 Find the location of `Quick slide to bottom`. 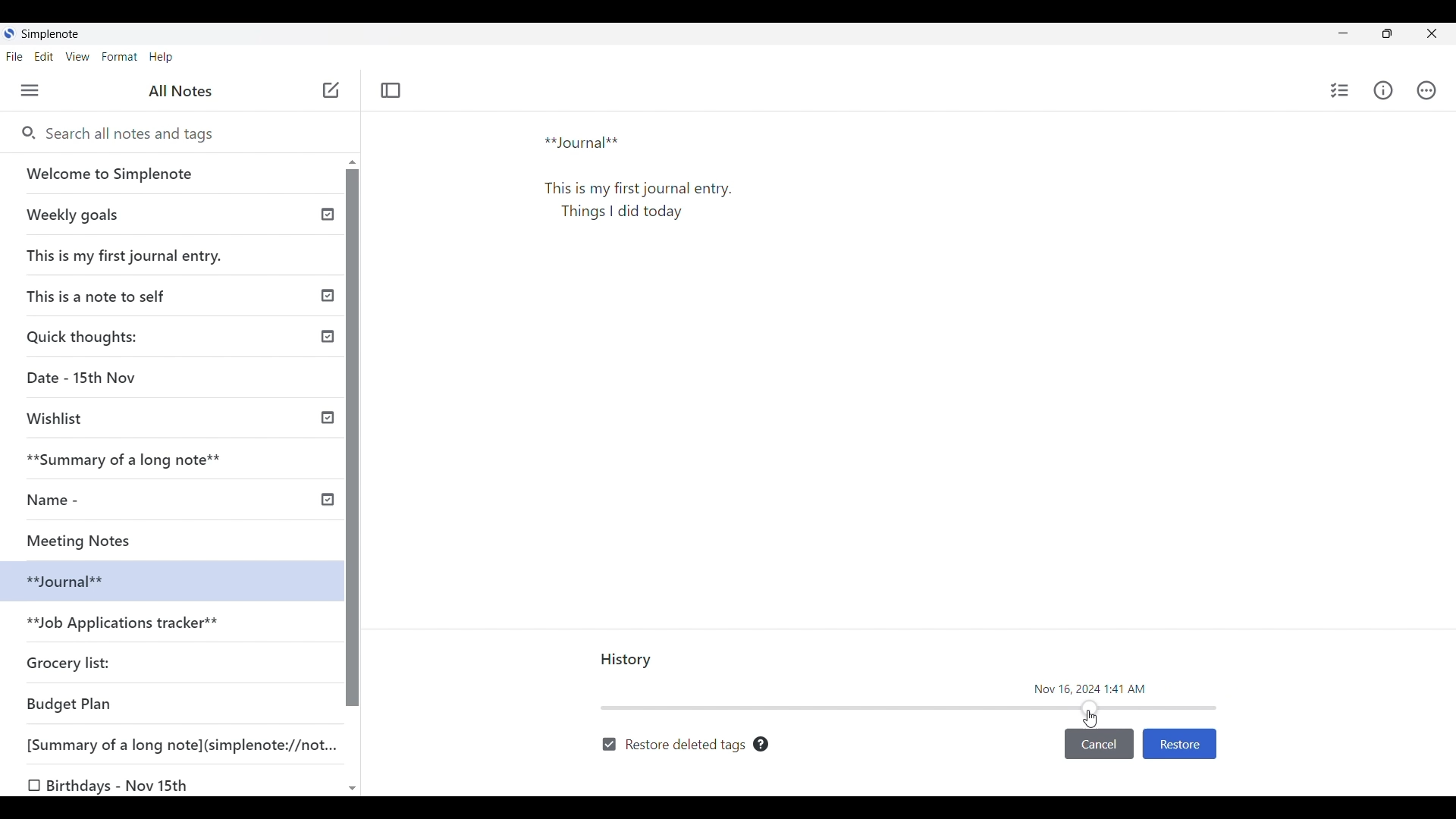

Quick slide to bottom is located at coordinates (353, 789).